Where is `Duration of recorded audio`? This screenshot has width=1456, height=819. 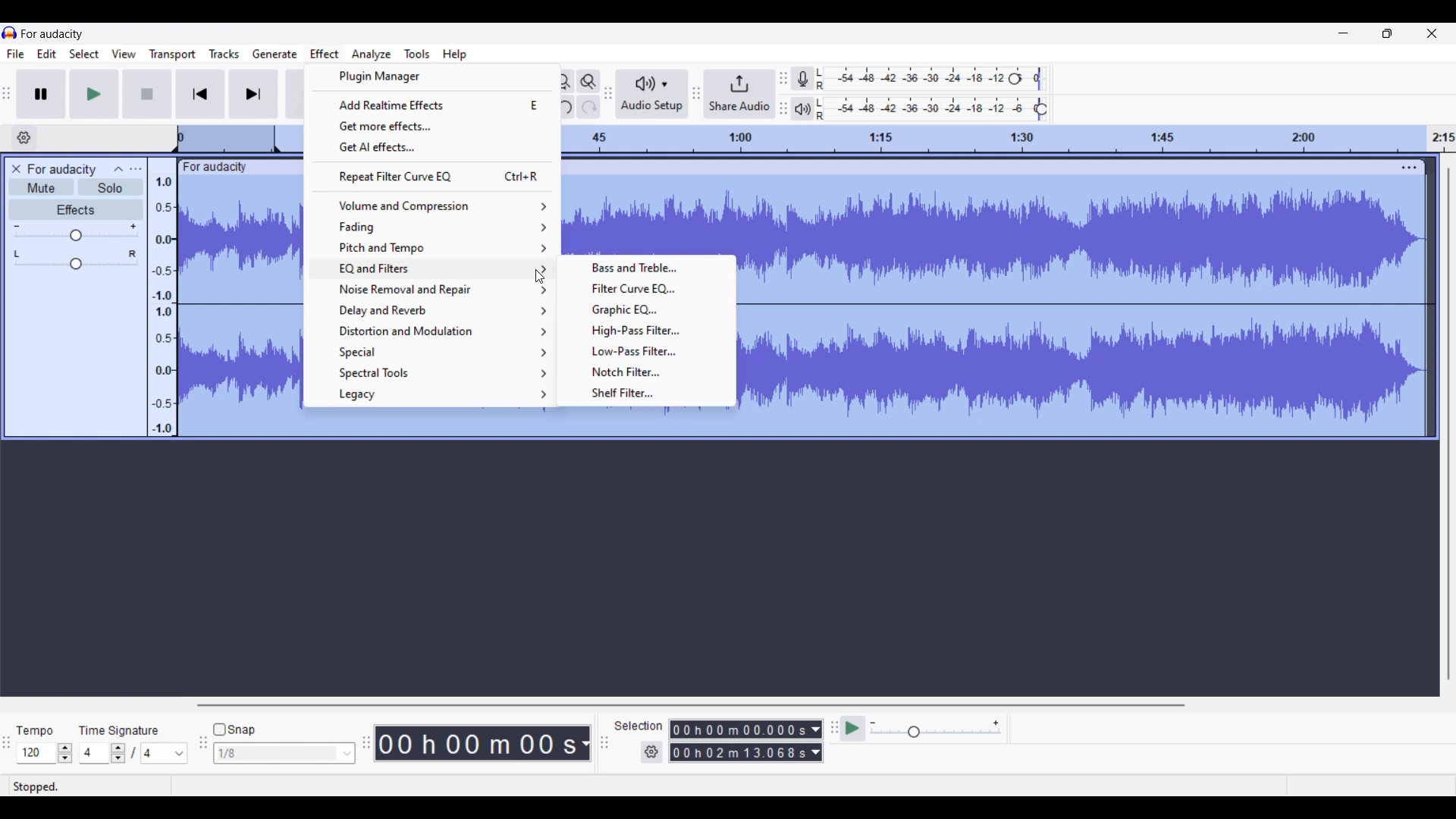
Duration of recorded audio is located at coordinates (478, 744).